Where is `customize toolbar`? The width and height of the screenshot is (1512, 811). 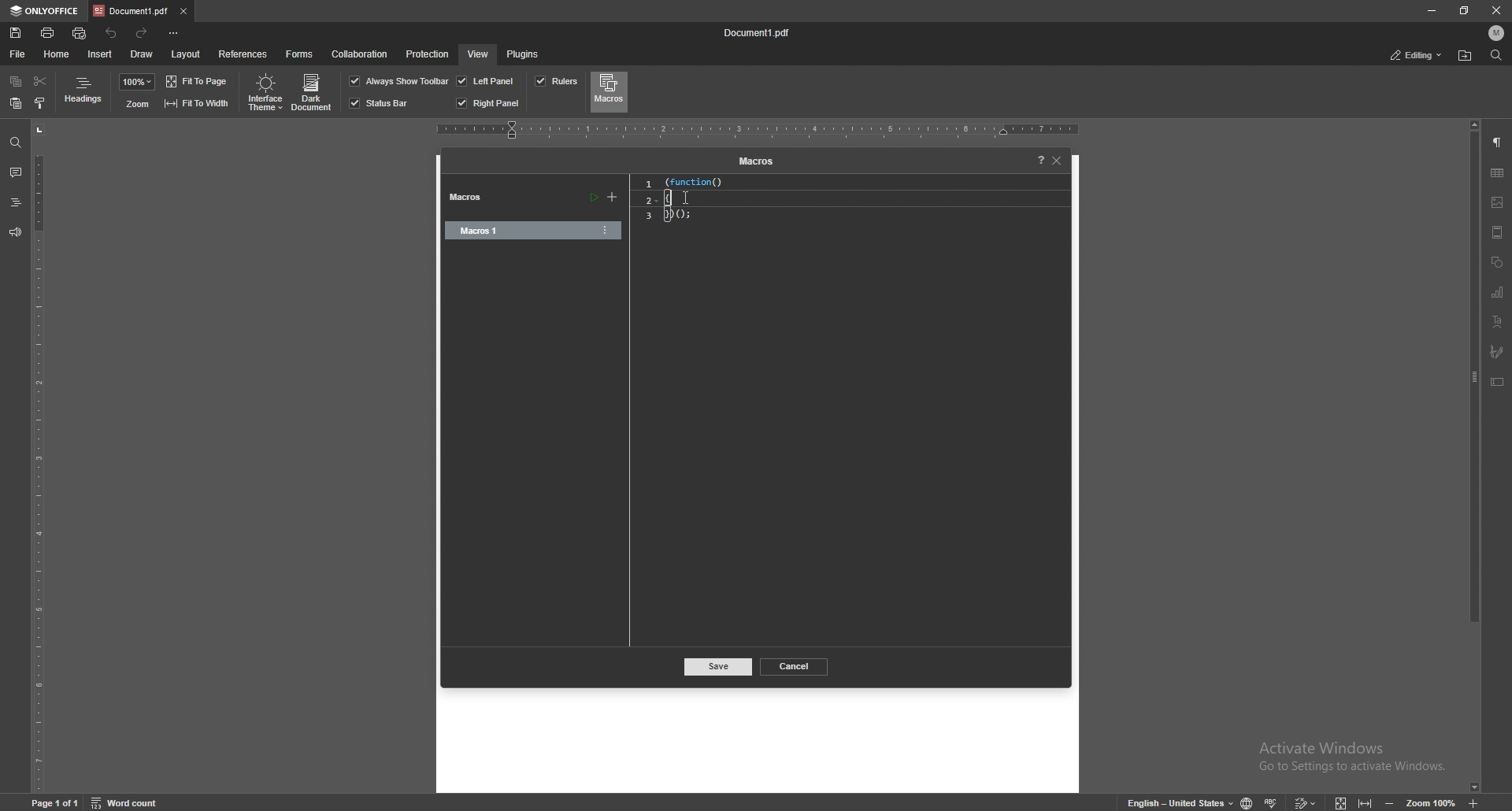 customize toolbar is located at coordinates (176, 33).